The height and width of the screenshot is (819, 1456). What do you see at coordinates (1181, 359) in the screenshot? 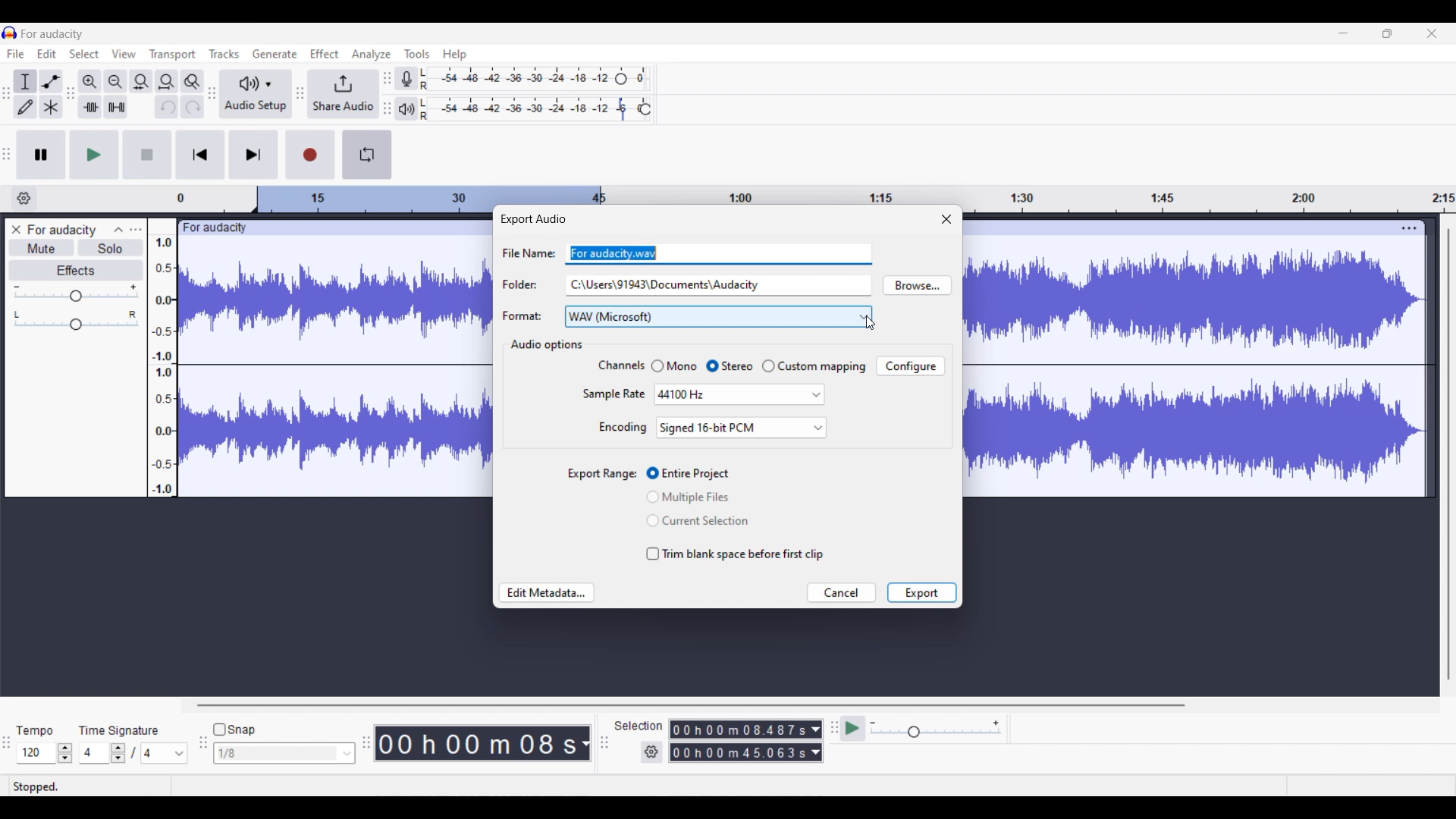
I see `Current track` at bounding box center [1181, 359].